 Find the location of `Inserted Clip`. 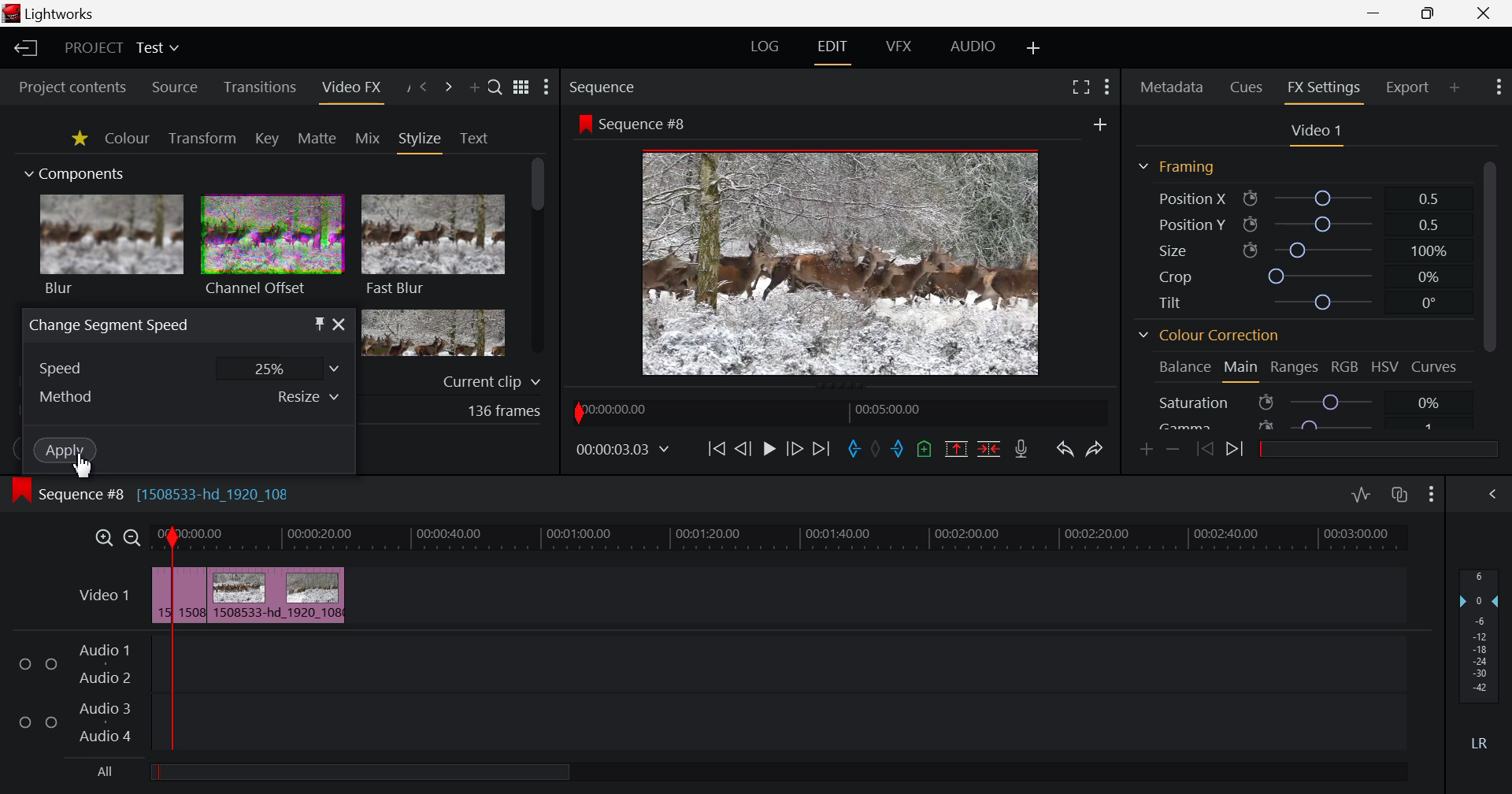

Inserted Clip is located at coordinates (270, 595).